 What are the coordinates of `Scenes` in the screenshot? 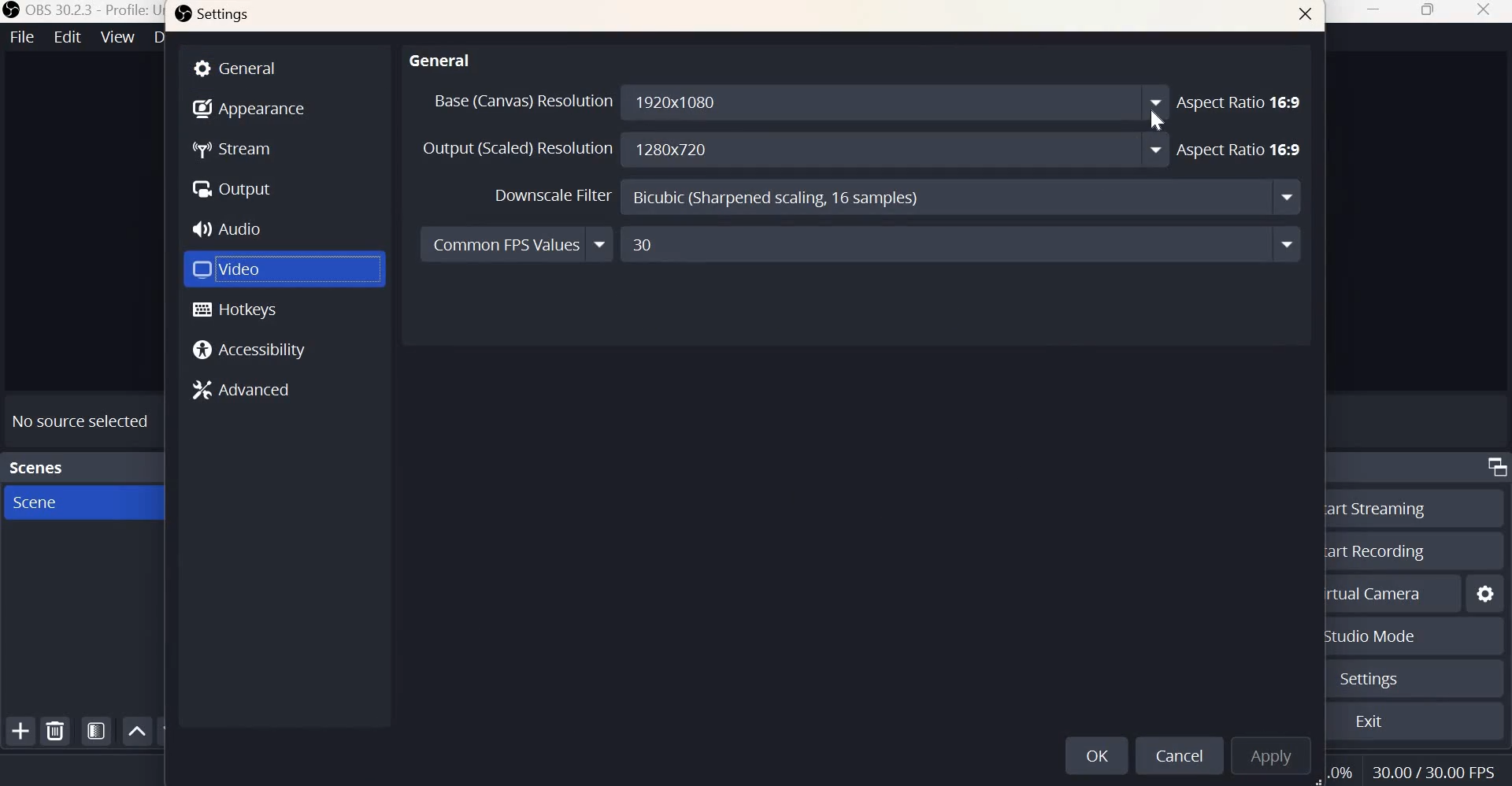 It's located at (37, 465).